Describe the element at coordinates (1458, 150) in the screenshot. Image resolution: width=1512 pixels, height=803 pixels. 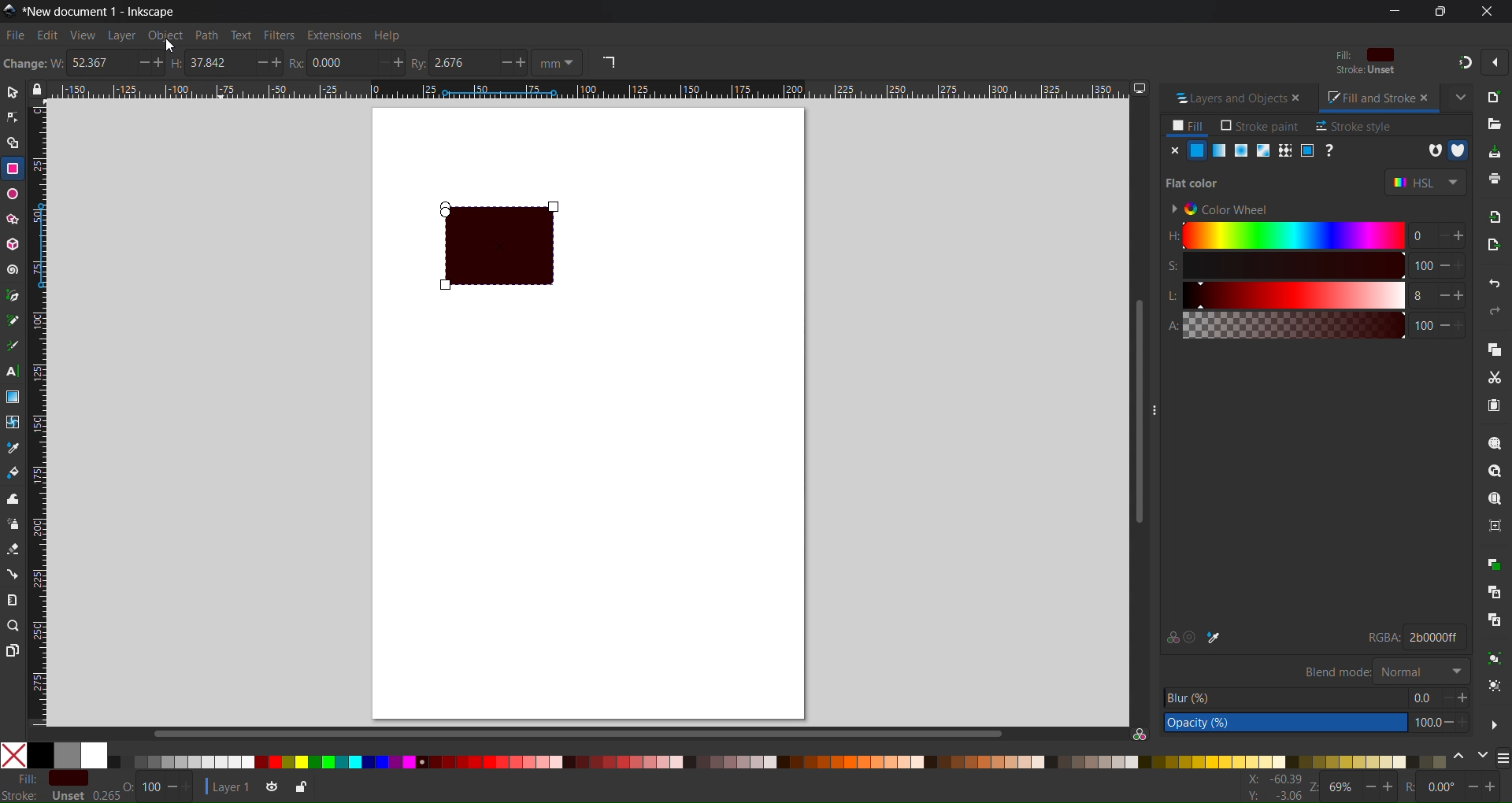
I see `non zero` at that location.